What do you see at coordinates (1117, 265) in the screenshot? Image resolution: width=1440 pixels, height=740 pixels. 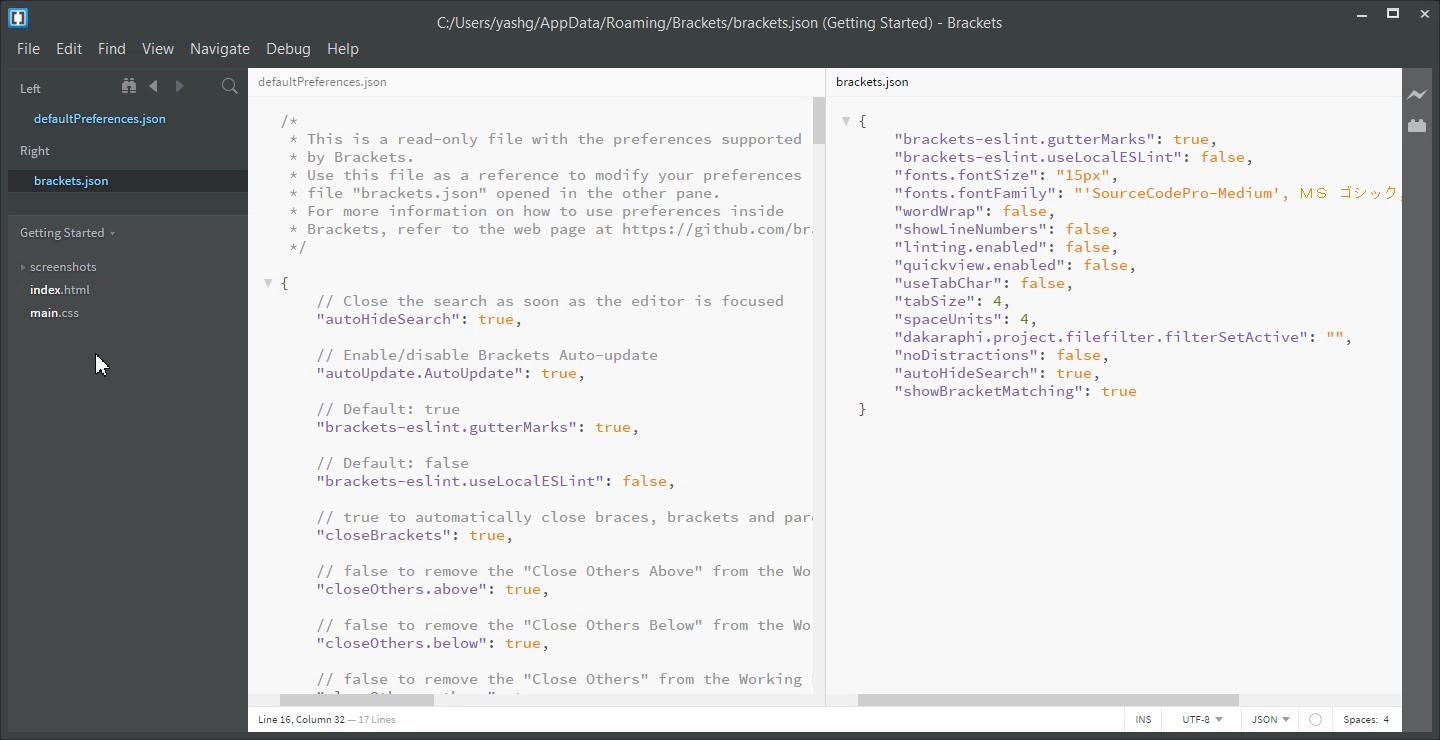 I see `{"brackets-eslint.gutterMarks": true,"brackets-eslint.uselocalESLint": false,"fonts. fontSize": "15px","fonts. fontFamily": "'SourceCodePro-Medium', MS J:"wordWrap": false,"show ineNumbers": false,"linting.enabled": false,"quickview.enabled": false,"useTabChar": false,"tabSize": 4,"spaceUnits": 4,"dakaraphi.project. filefilter.filterSetActive": "","noDistractions": false,"autoHideSearch”: true,nshowBracketMatching": true }` at bounding box center [1117, 265].